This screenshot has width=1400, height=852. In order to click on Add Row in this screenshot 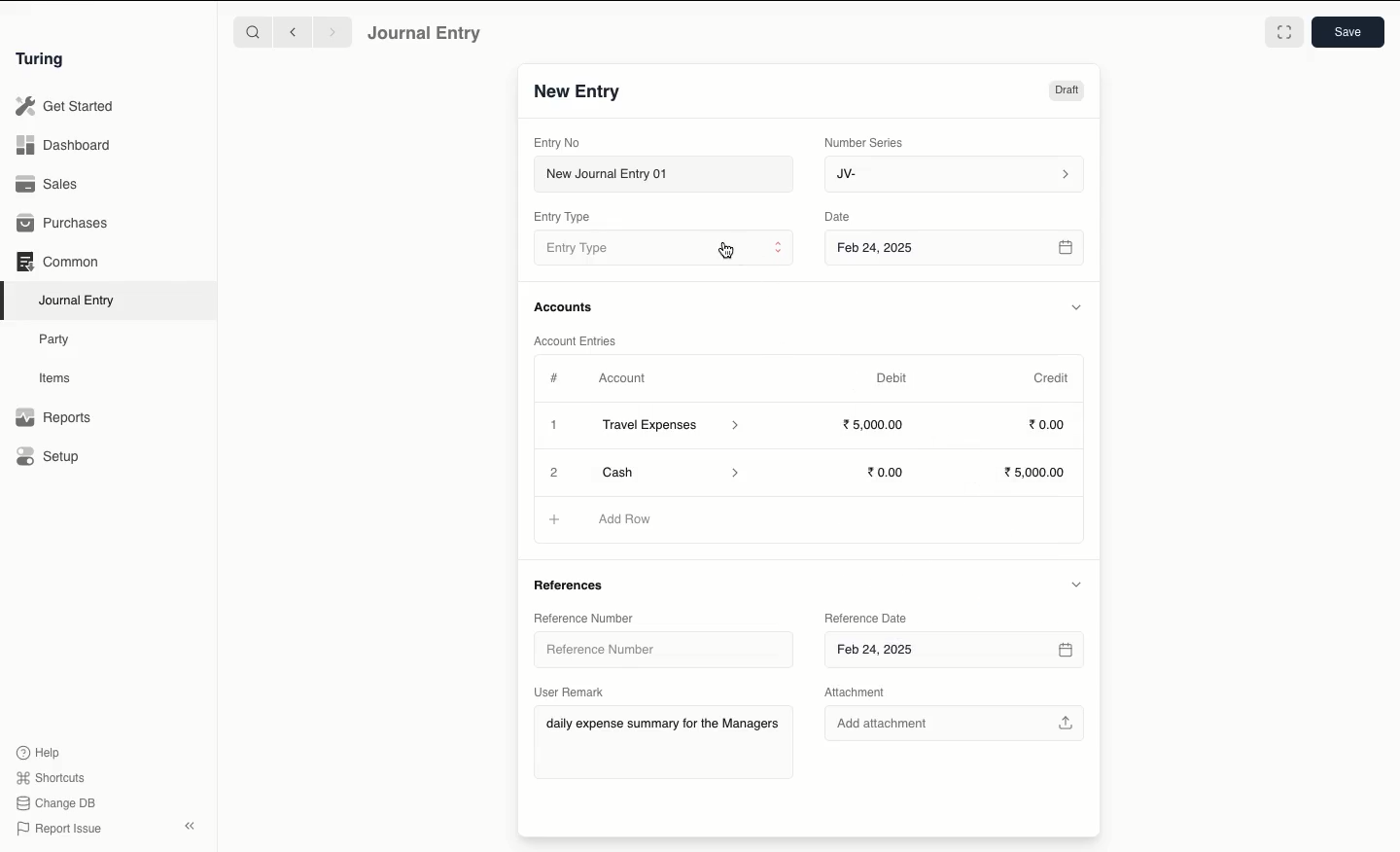, I will do `click(626, 518)`.